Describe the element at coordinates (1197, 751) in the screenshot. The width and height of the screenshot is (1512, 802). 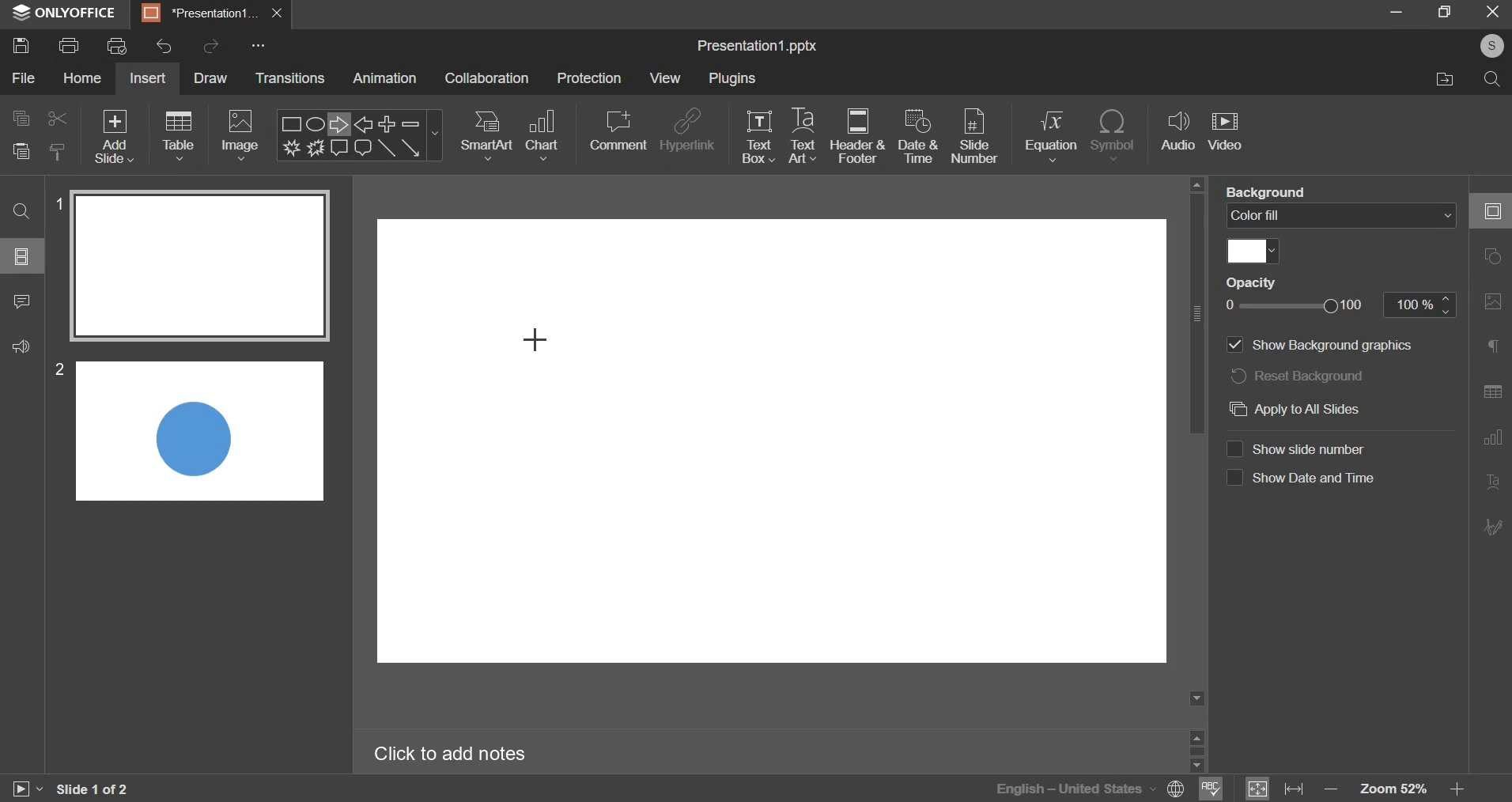
I see `scrollbar` at that location.